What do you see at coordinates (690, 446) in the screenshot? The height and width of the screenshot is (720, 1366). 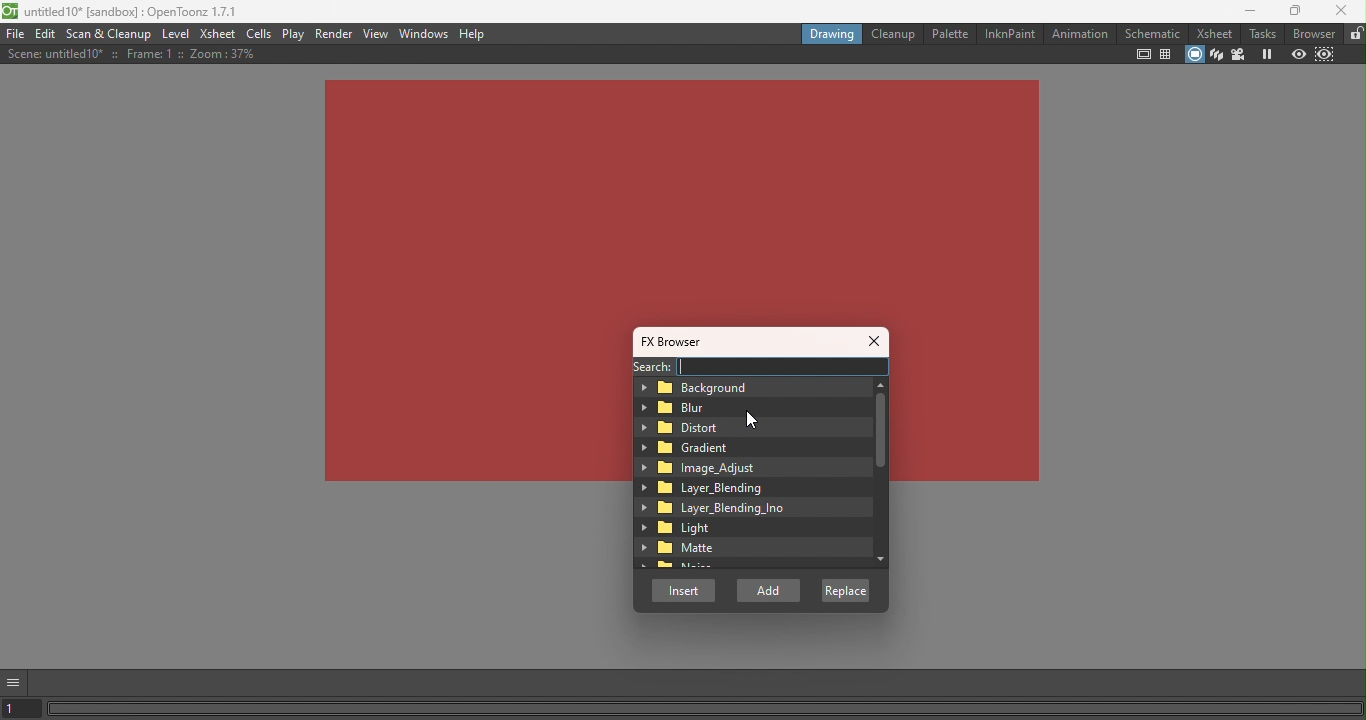 I see `Gradient` at bounding box center [690, 446].